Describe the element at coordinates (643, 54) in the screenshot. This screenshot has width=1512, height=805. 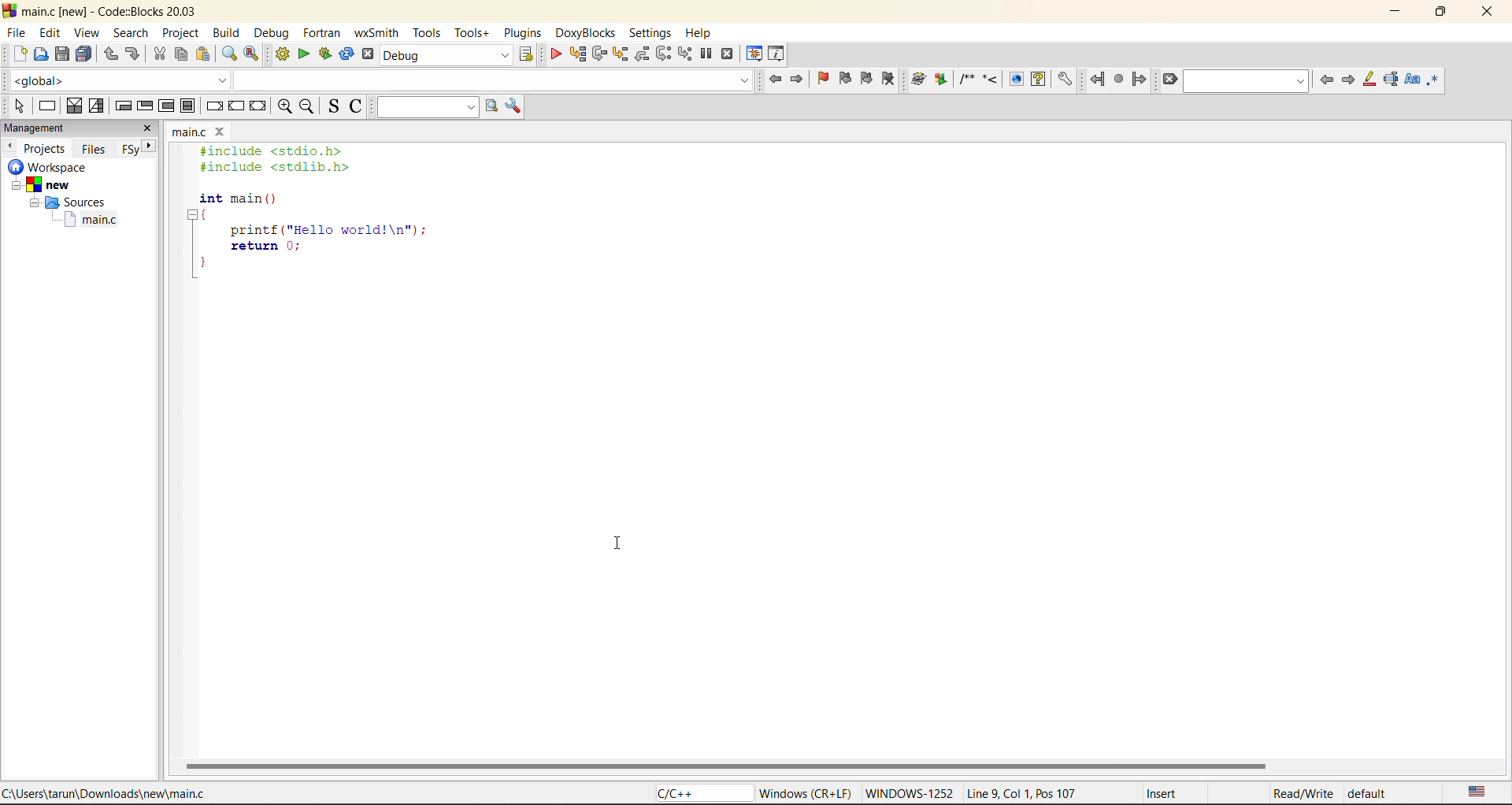
I see `step out` at that location.